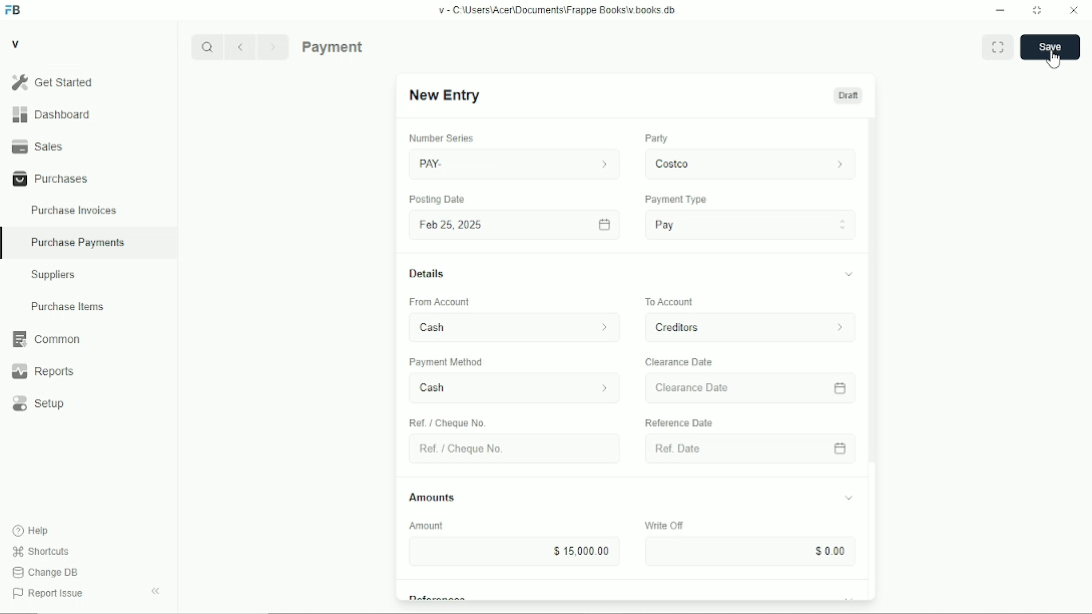  Describe the element at coordinates (1074, 10) in the screenshot. I see `Close` at that location.